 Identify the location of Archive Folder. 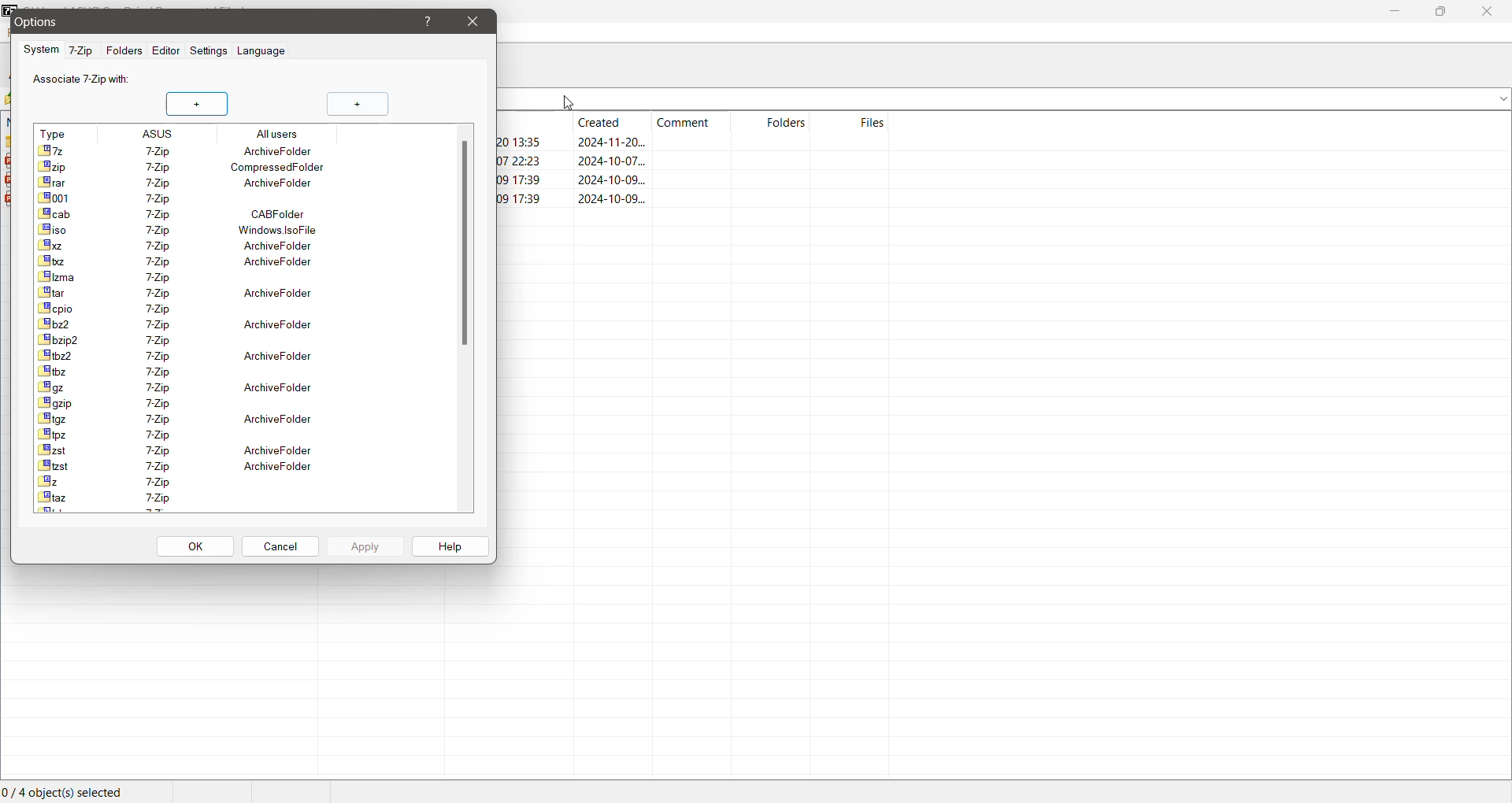
(192, 294).